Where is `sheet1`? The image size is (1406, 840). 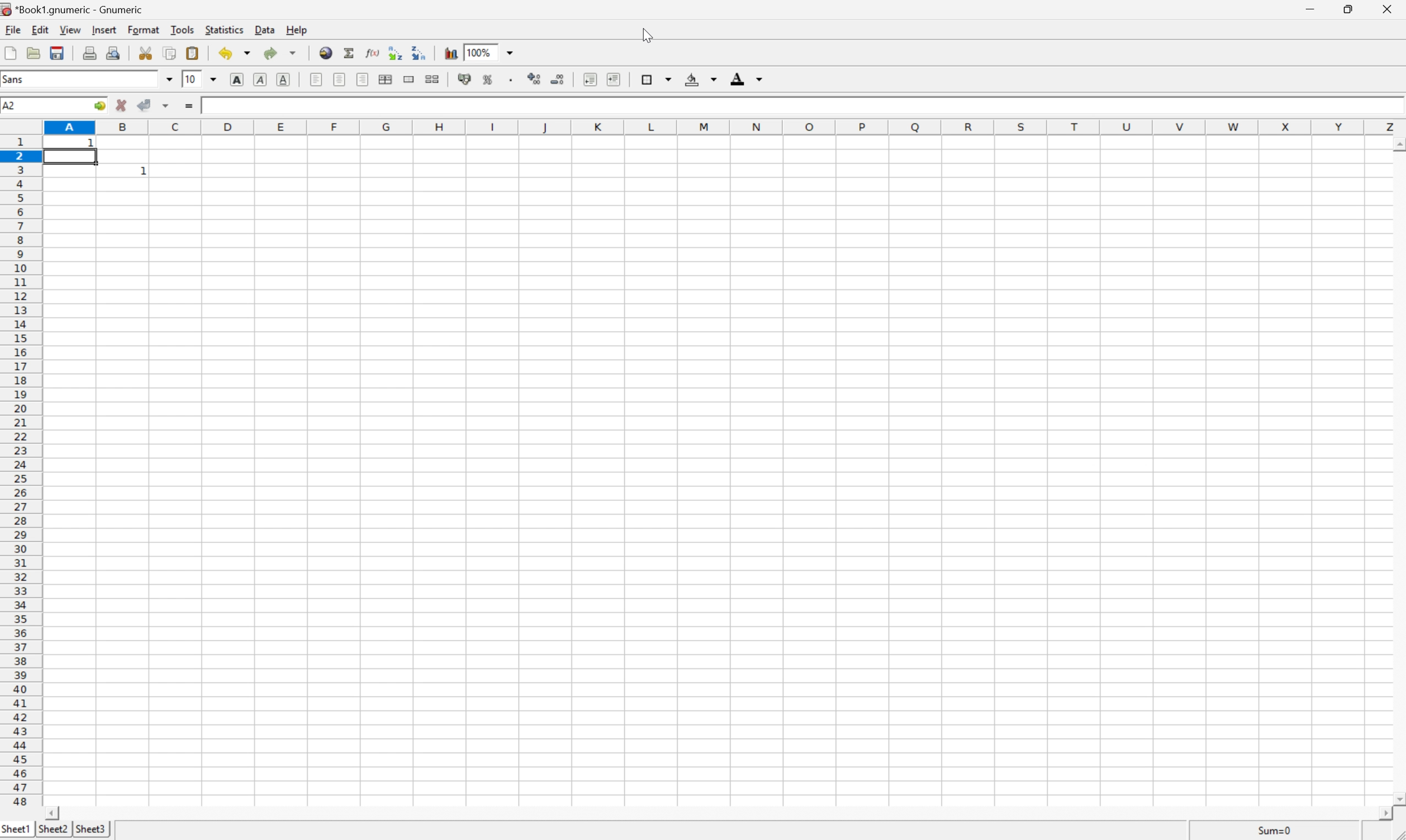
sheet1 is located at coordinates (16, 832).